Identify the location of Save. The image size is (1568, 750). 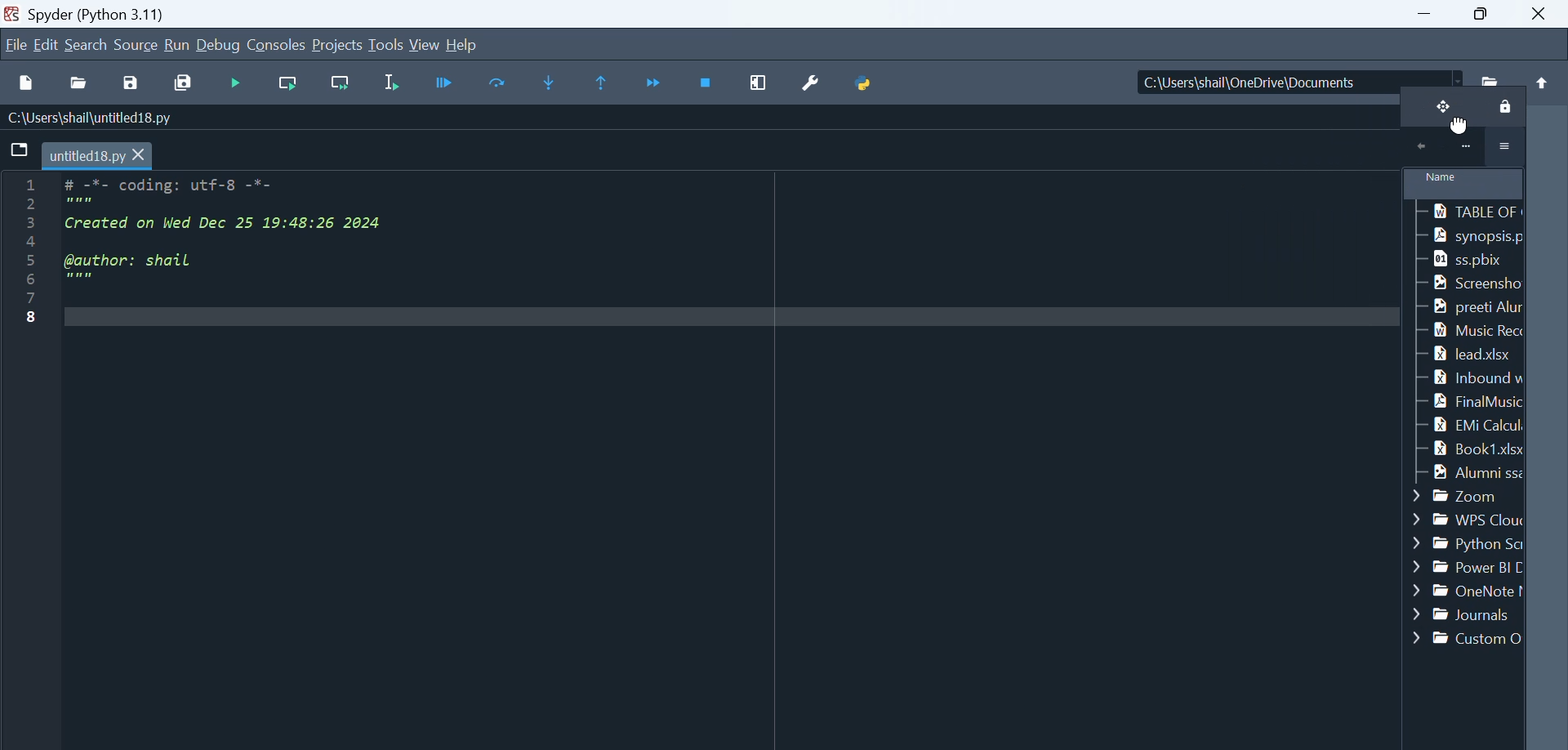
(136, 79).